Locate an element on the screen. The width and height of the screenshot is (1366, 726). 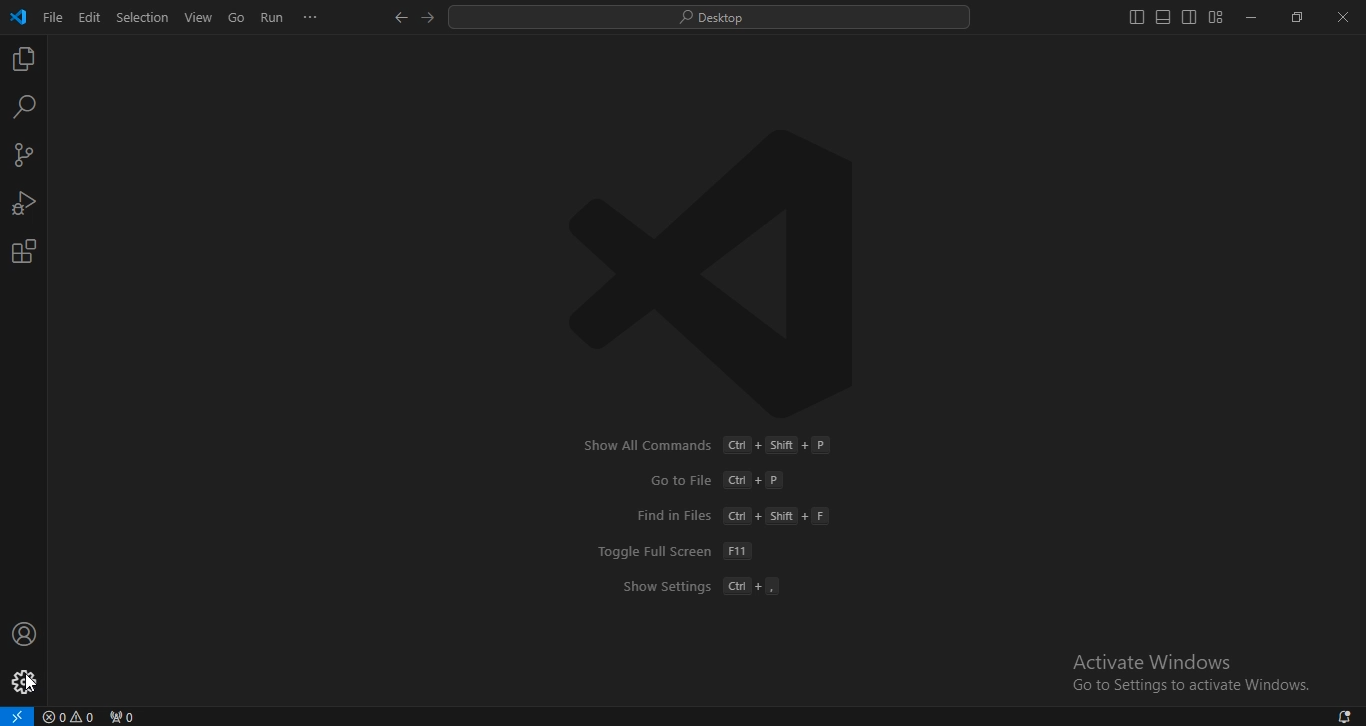
toggle primary side bar is located at coordinates (1134, 18).